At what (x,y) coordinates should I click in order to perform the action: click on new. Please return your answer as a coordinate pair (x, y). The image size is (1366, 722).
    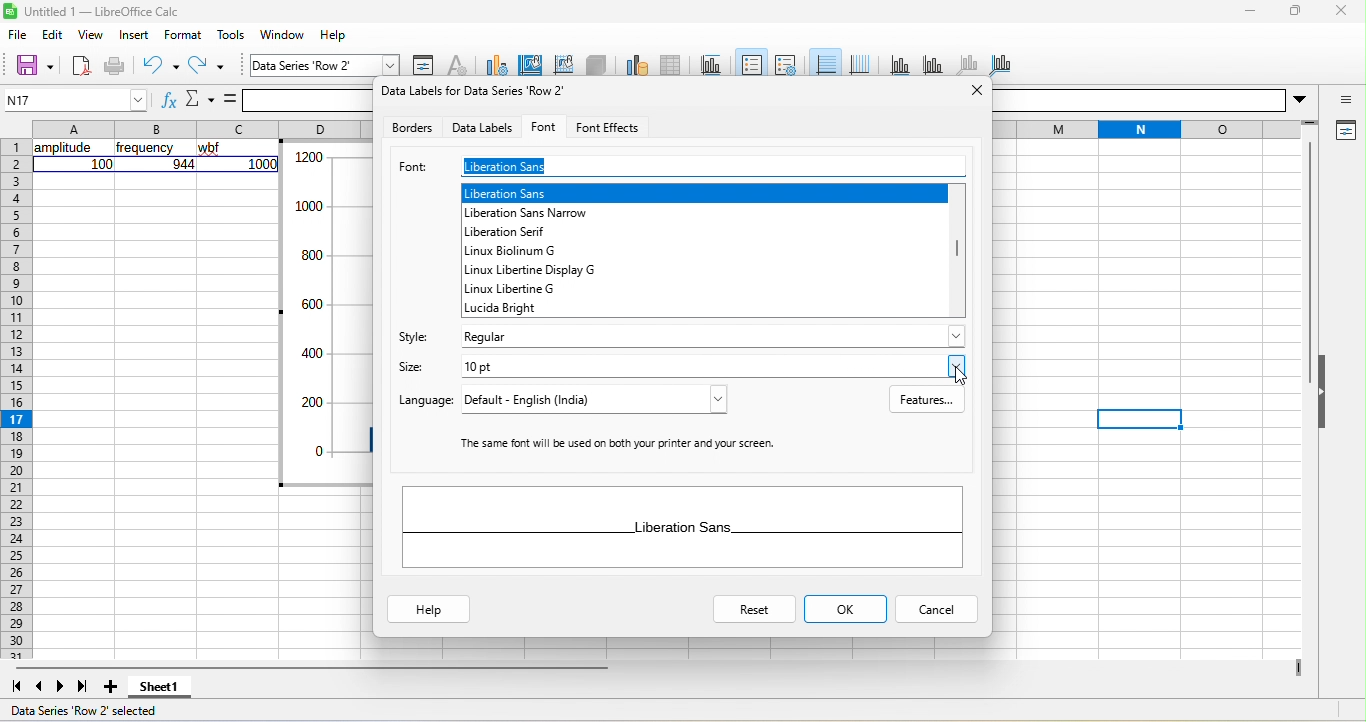
    Looking at the image, I should click on (80, 65).